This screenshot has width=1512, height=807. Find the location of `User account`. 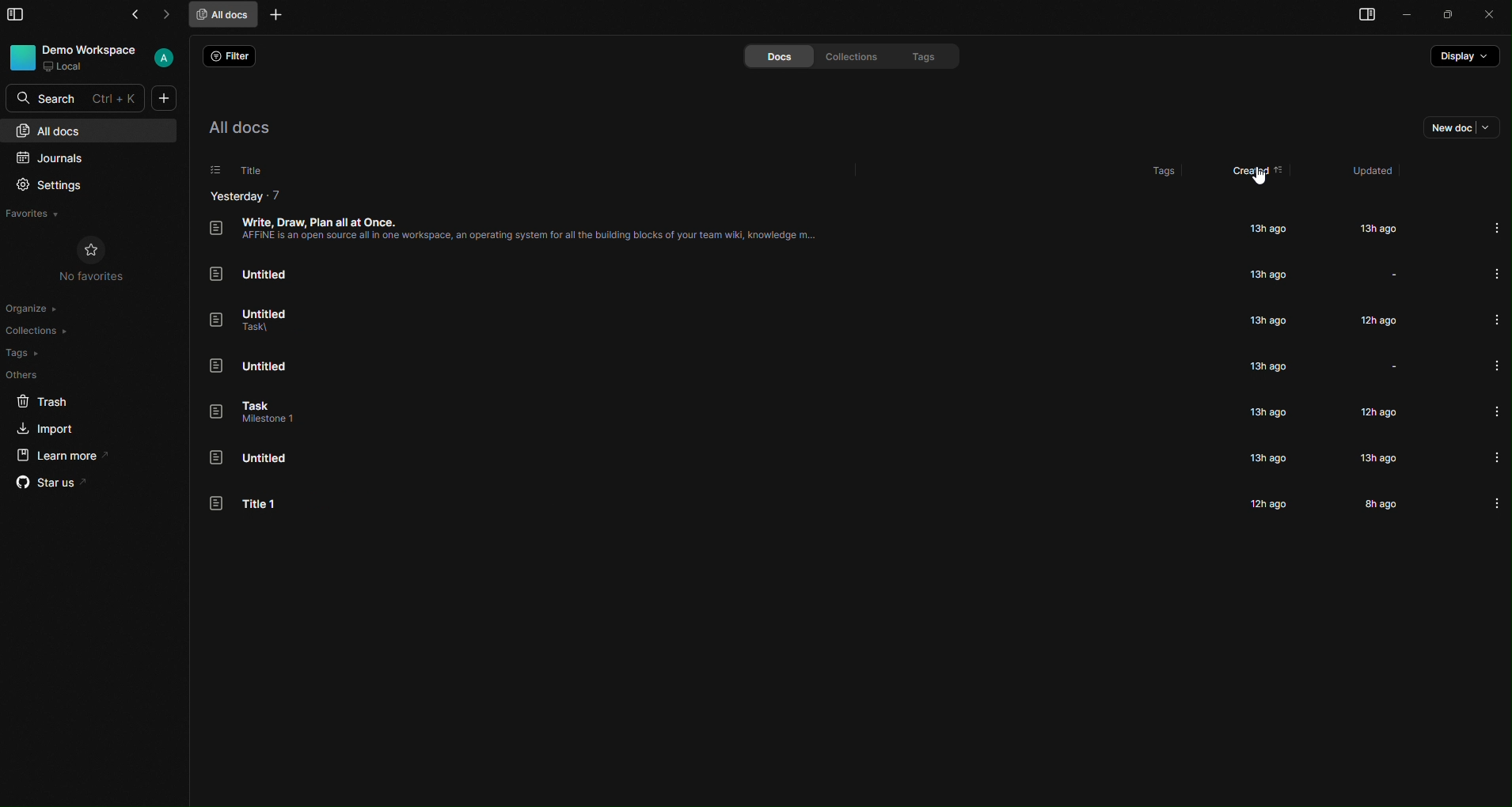

User account is located at coordinates (165, 57).